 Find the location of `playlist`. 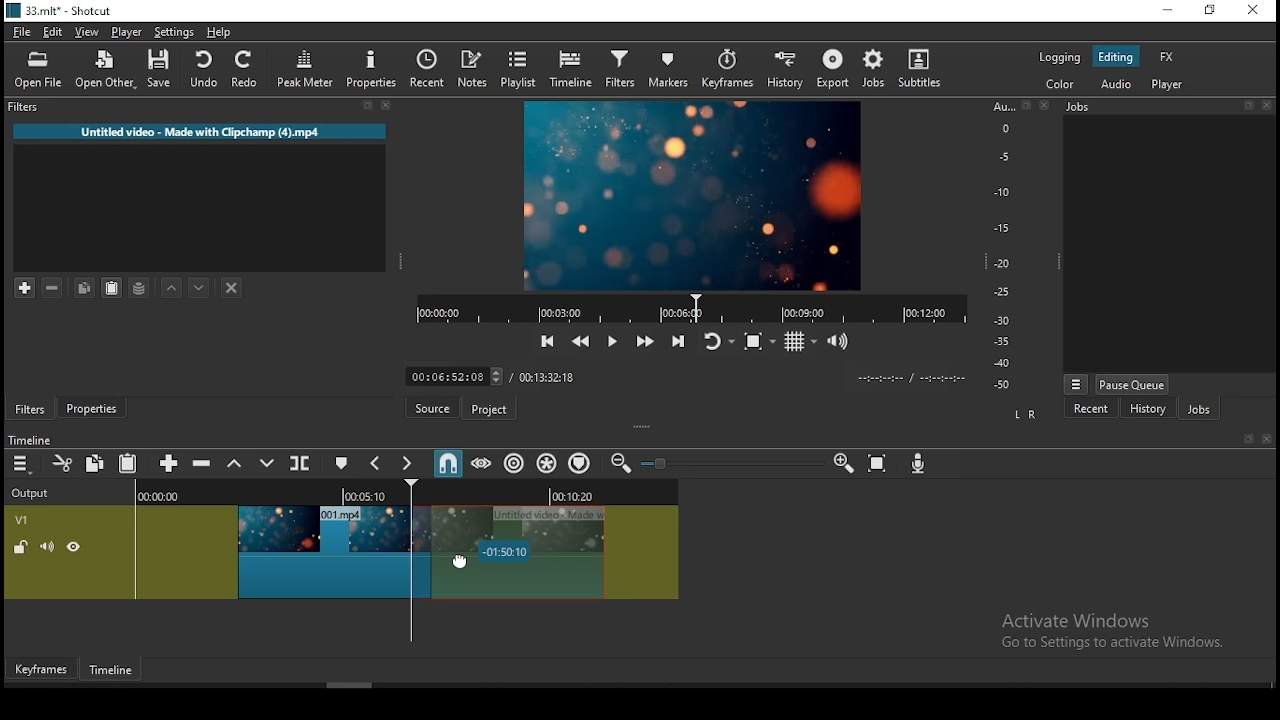

playlist is located at coordinates (520, 71).